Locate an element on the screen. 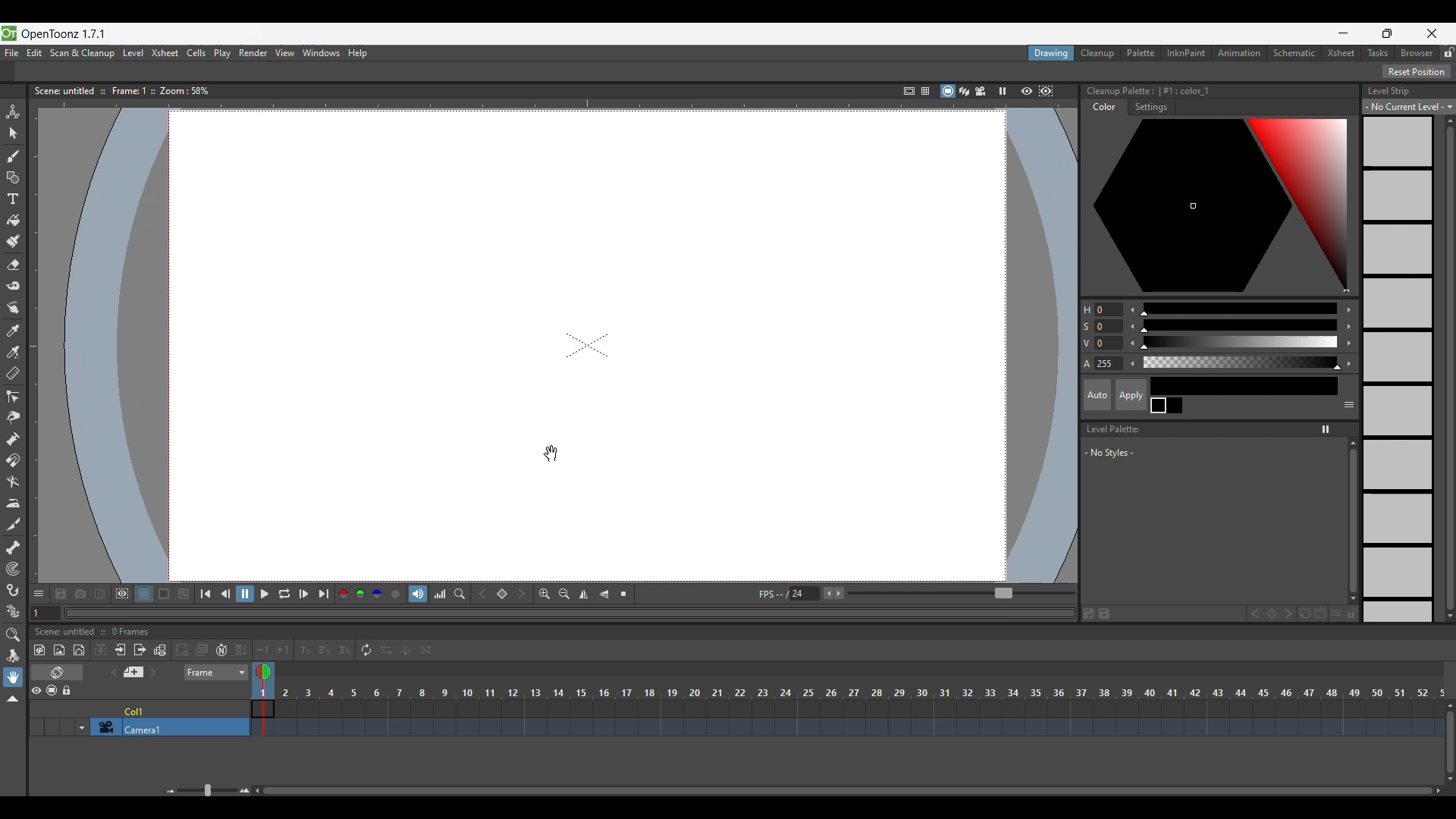 Image resolution: width=1456 pixels, height=819 pixels. Color modification options is located at coordinates (1087, 337).